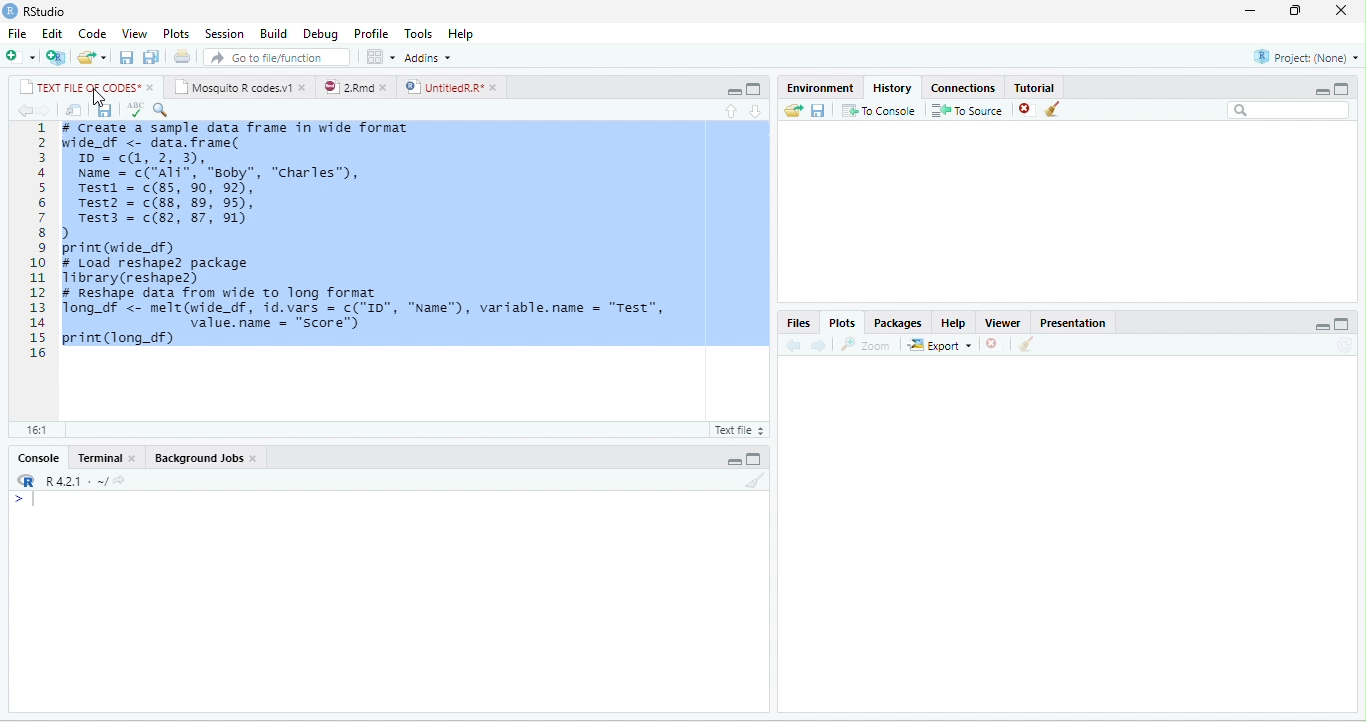  I want to click on open folder, so click(794, 110).